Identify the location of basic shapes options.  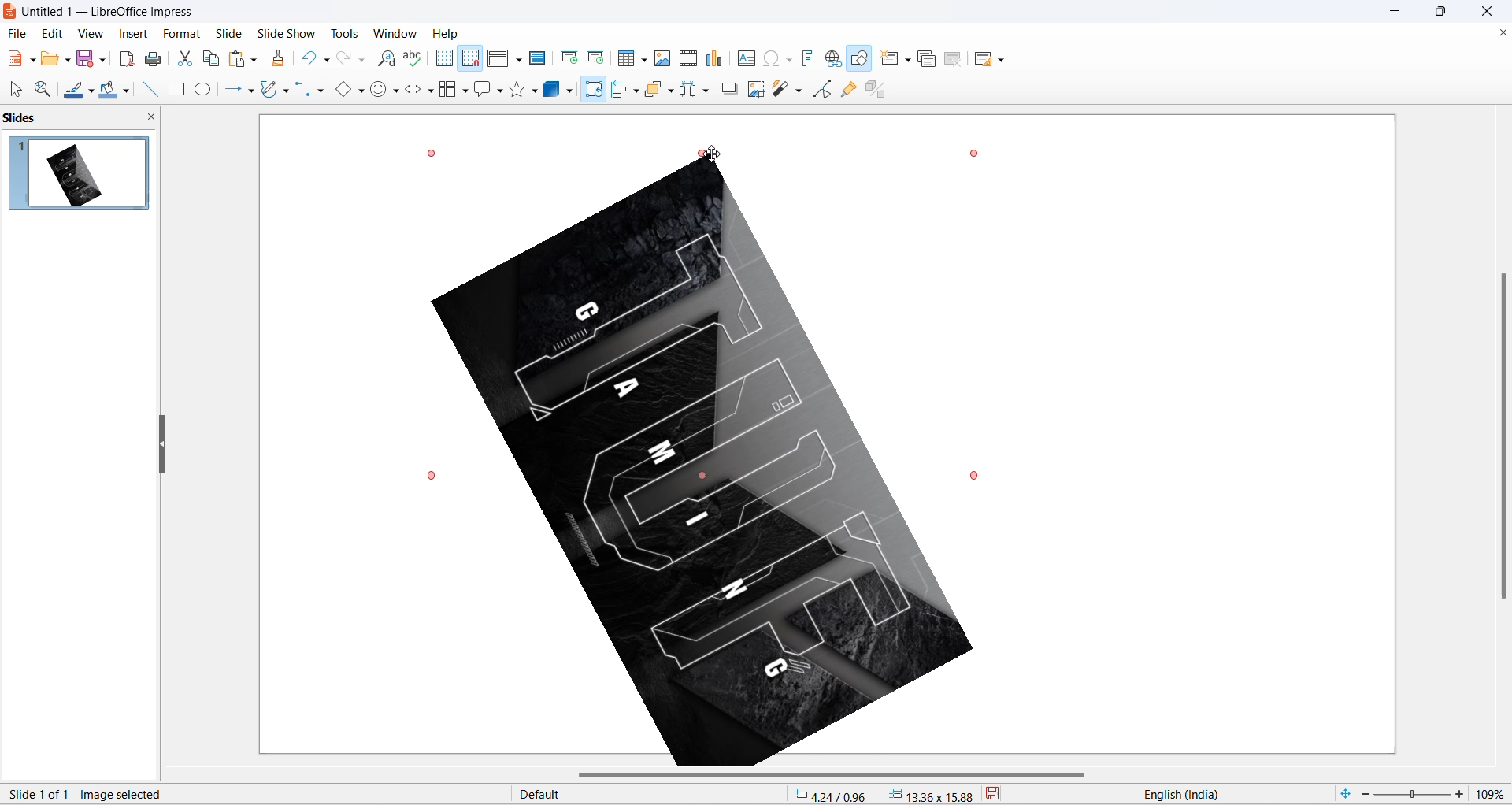
(360, 90).